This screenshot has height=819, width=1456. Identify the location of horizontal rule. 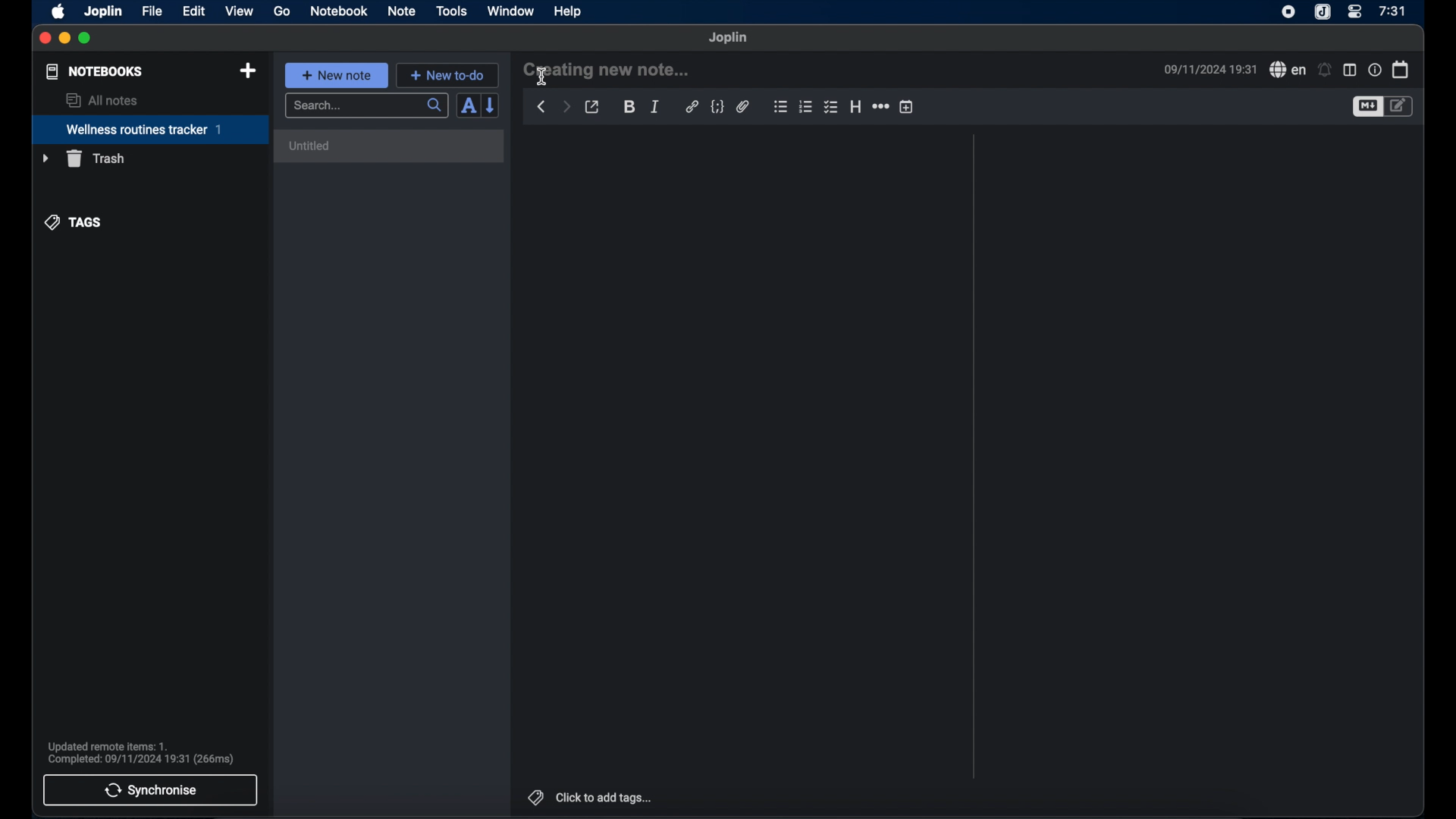
(880, 106).